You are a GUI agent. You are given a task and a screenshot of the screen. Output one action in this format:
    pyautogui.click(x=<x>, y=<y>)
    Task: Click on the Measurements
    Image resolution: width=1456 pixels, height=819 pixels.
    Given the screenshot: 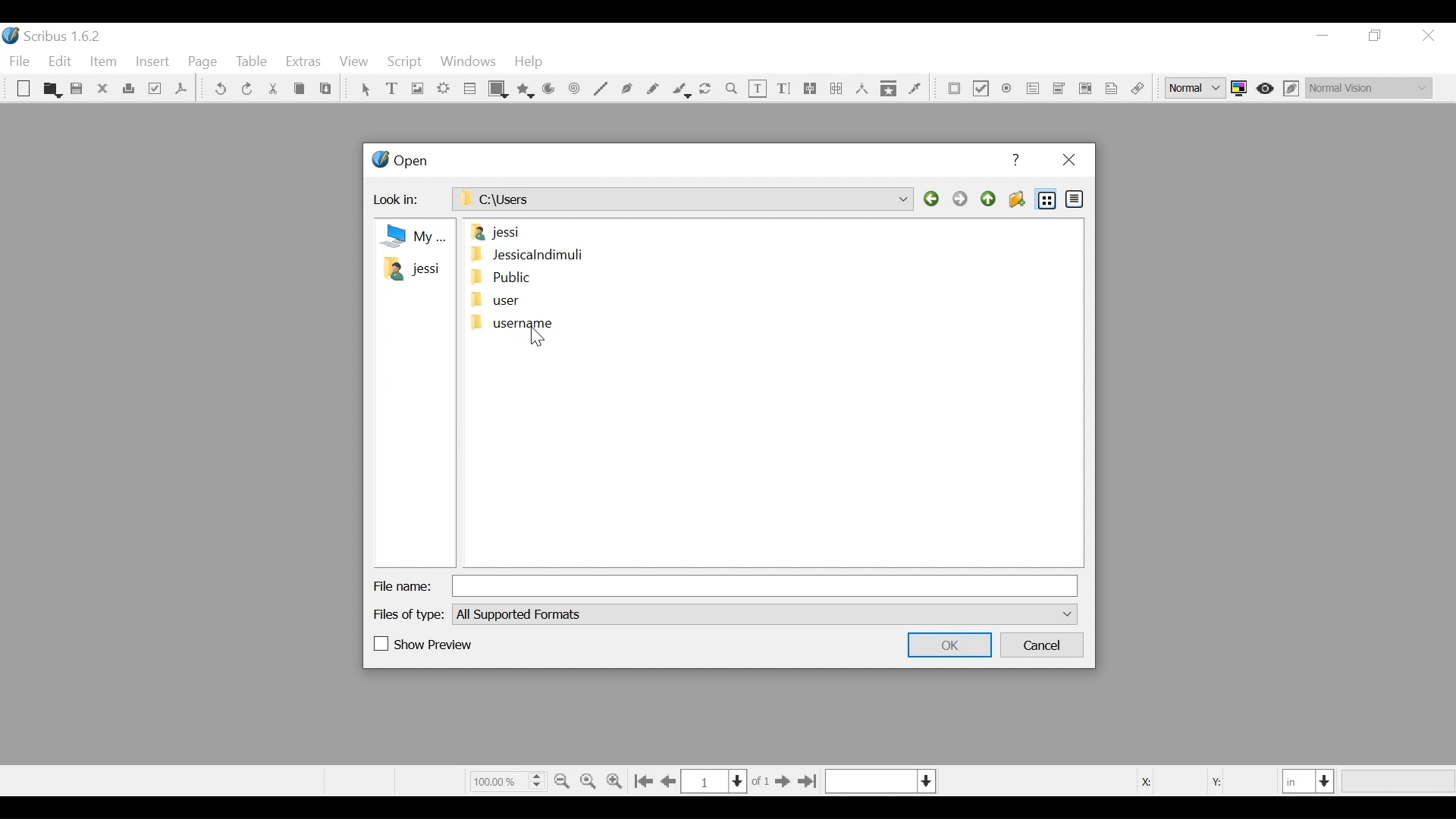 What is the action you would take?
    pyautogui.click(x=861, y=89)
    